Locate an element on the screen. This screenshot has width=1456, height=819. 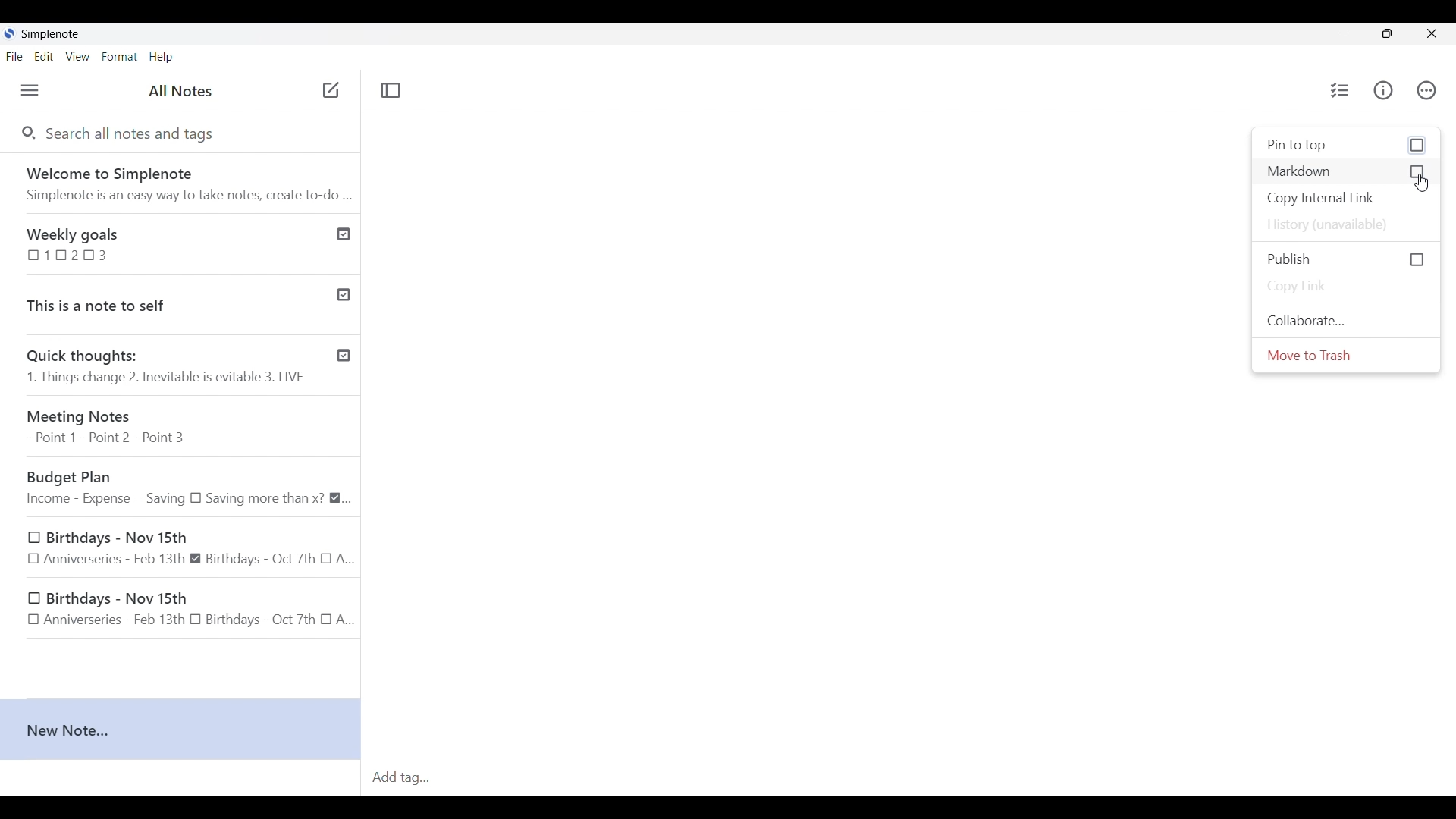
Info is located at coordinates (1383, 90).